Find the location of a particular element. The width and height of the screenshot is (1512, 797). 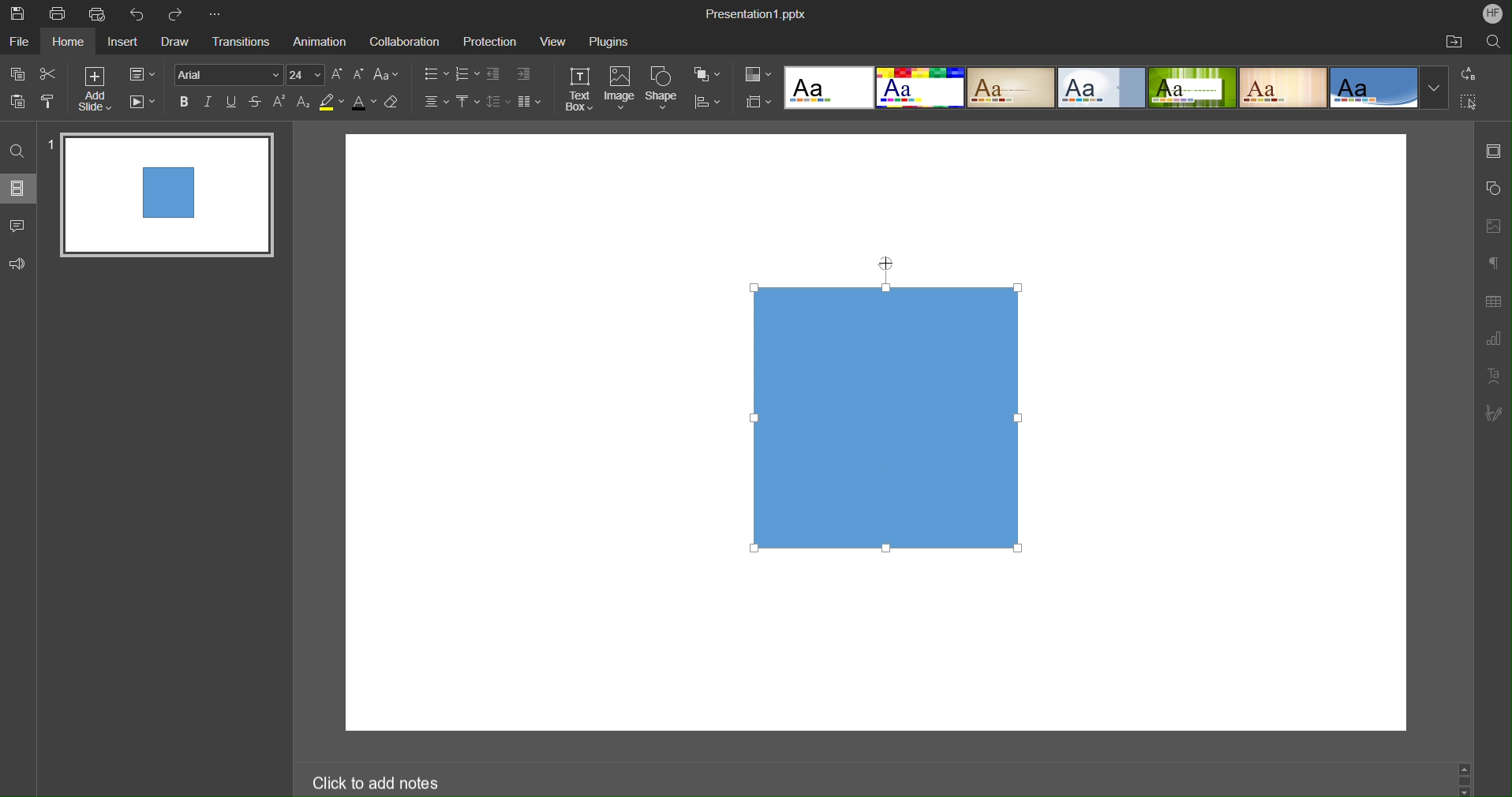

Increase Indent is located at coordinates (525, 74).